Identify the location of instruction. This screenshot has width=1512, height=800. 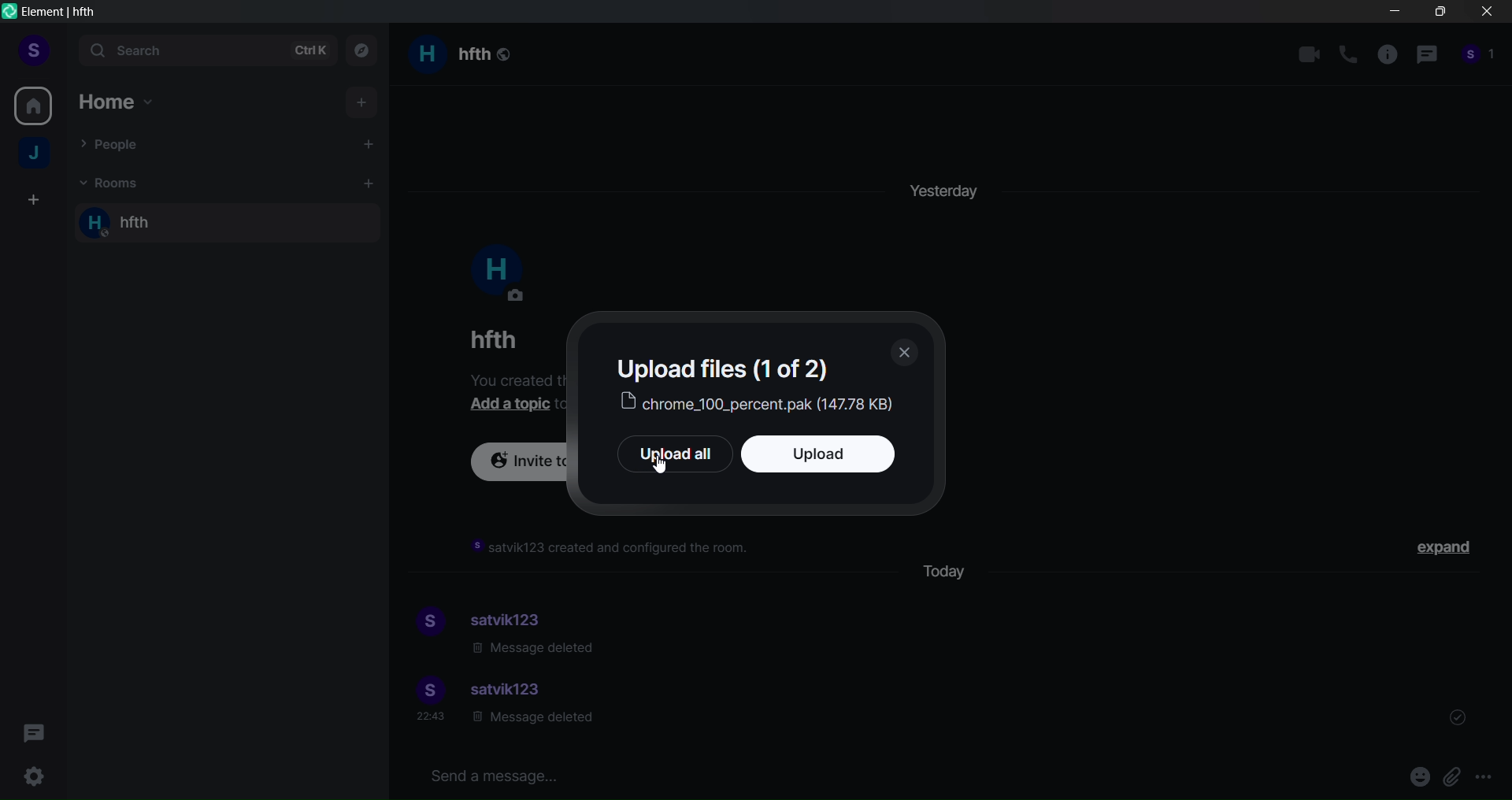
(613, 548).